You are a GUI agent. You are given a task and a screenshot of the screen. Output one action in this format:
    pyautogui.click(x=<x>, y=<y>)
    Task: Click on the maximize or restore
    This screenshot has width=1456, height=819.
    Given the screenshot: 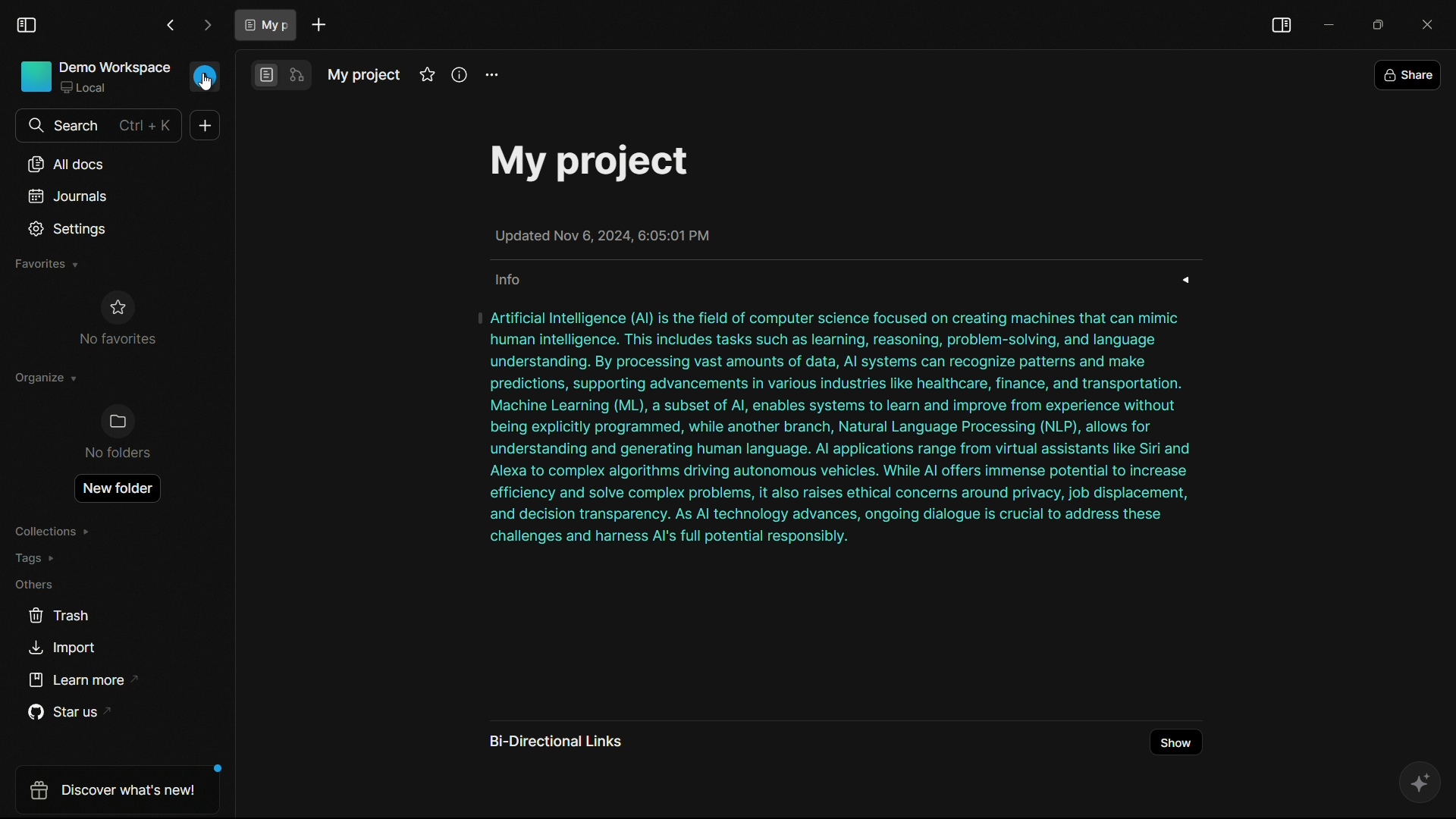 What is the action you would take?
    pyautogui.click(x=1382, y=24)
    